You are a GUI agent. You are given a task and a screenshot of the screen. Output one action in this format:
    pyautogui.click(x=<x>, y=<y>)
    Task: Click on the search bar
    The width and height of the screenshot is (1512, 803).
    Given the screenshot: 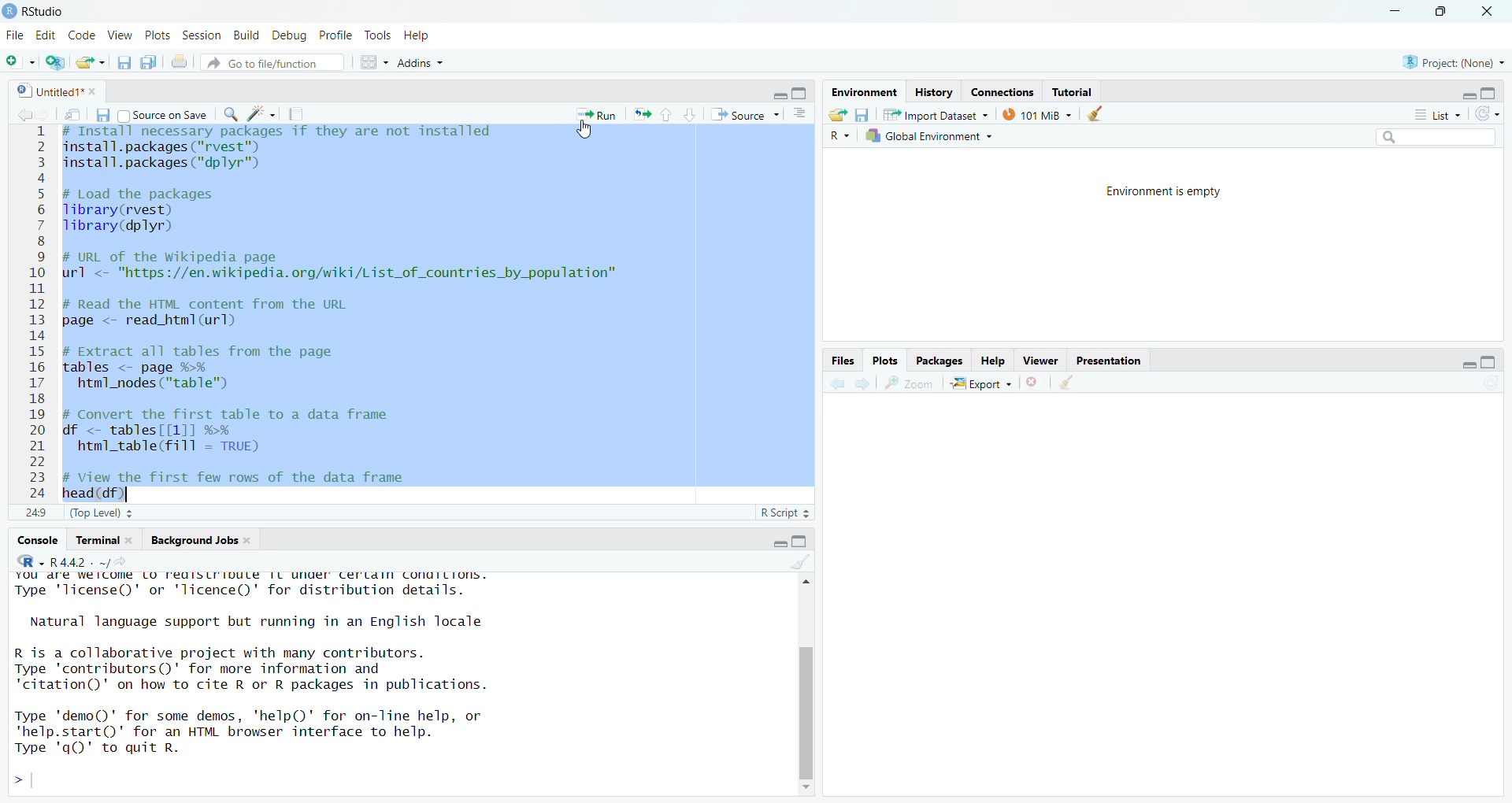 What is the action you would take?
    pyautogui.click(x=1436, y=136)
    